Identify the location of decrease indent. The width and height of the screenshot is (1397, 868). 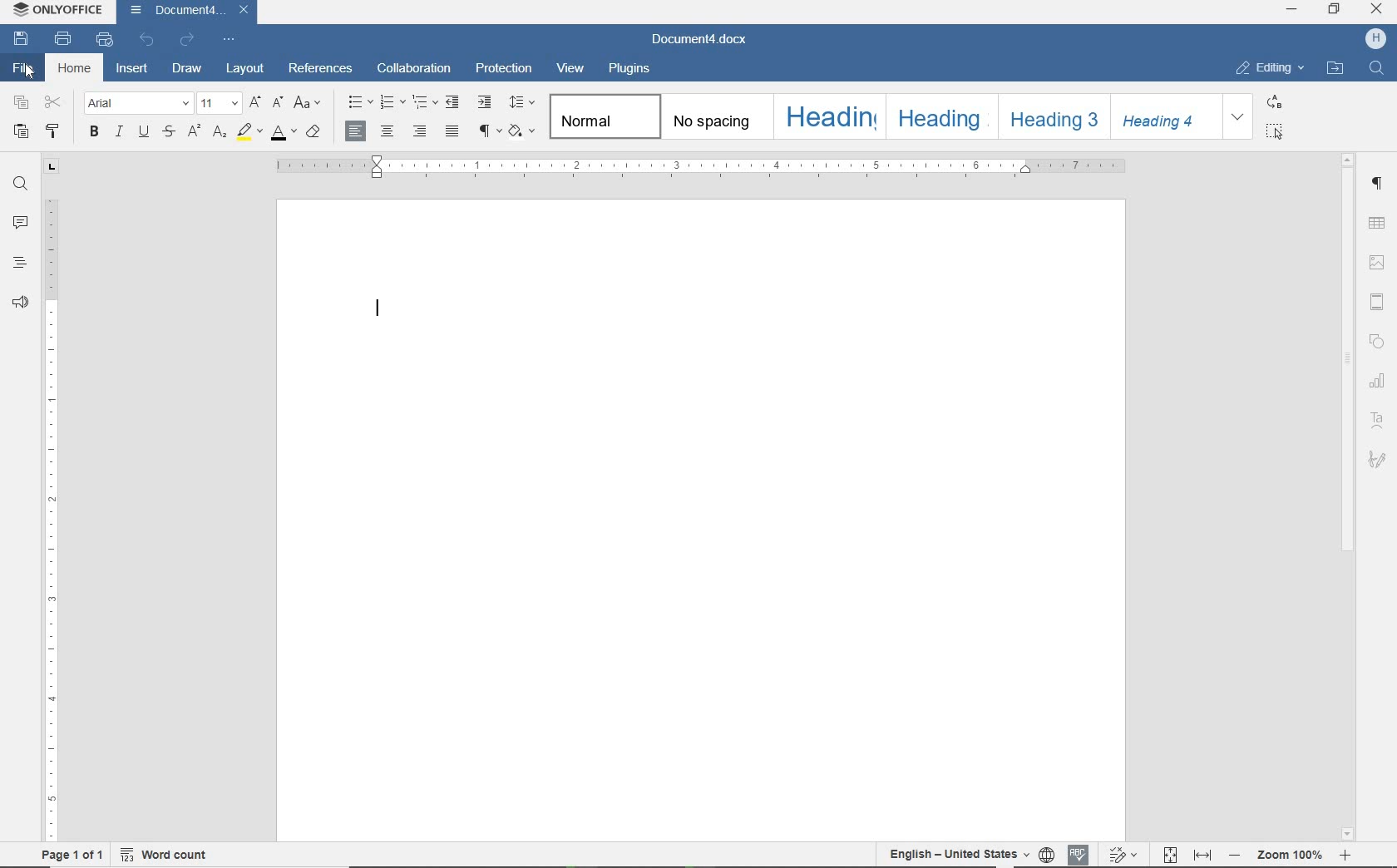
(455, 102).